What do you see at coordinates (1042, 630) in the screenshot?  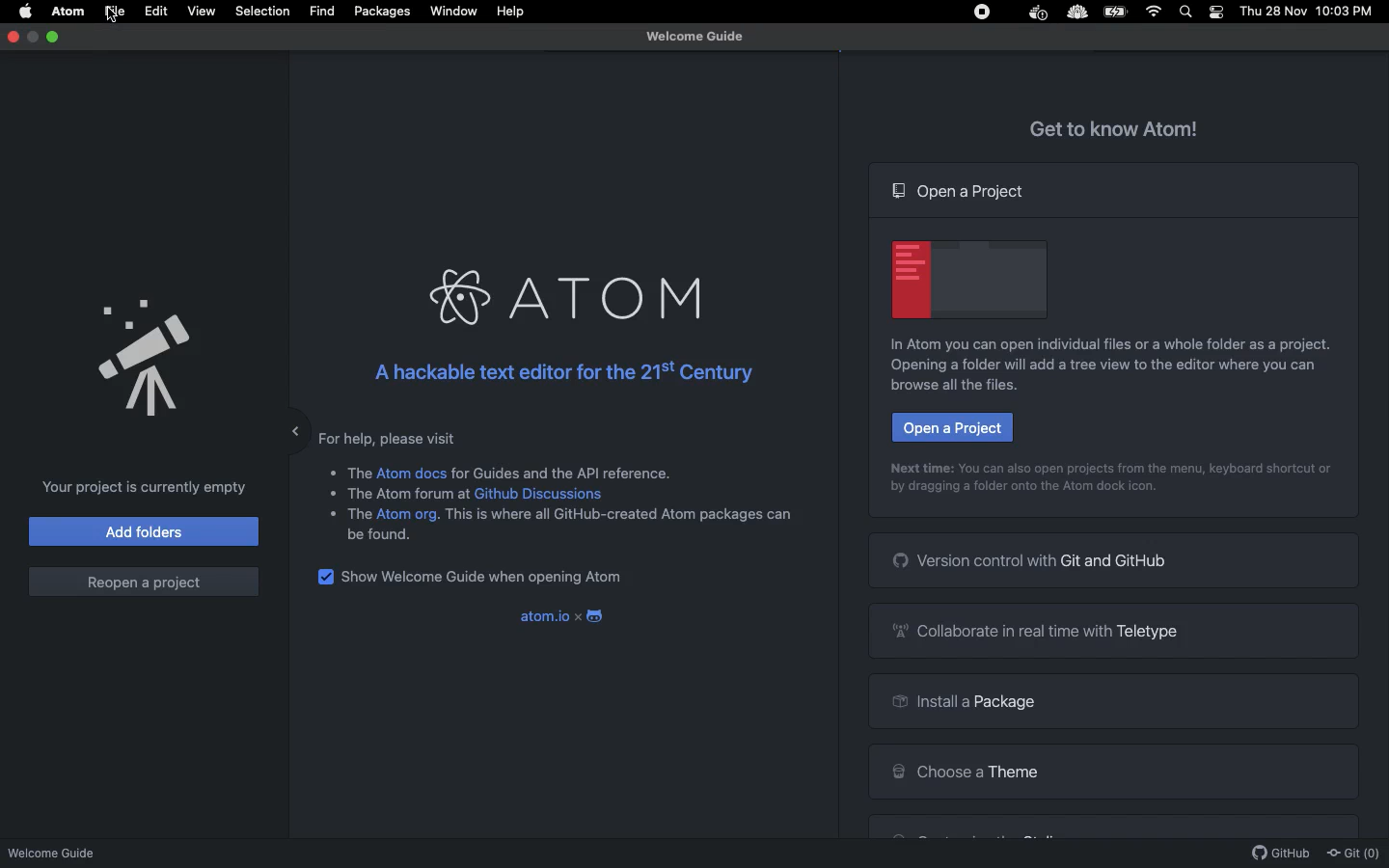 I see `Collaborate in real time with Teletype` at bounding box center [1042, 630].